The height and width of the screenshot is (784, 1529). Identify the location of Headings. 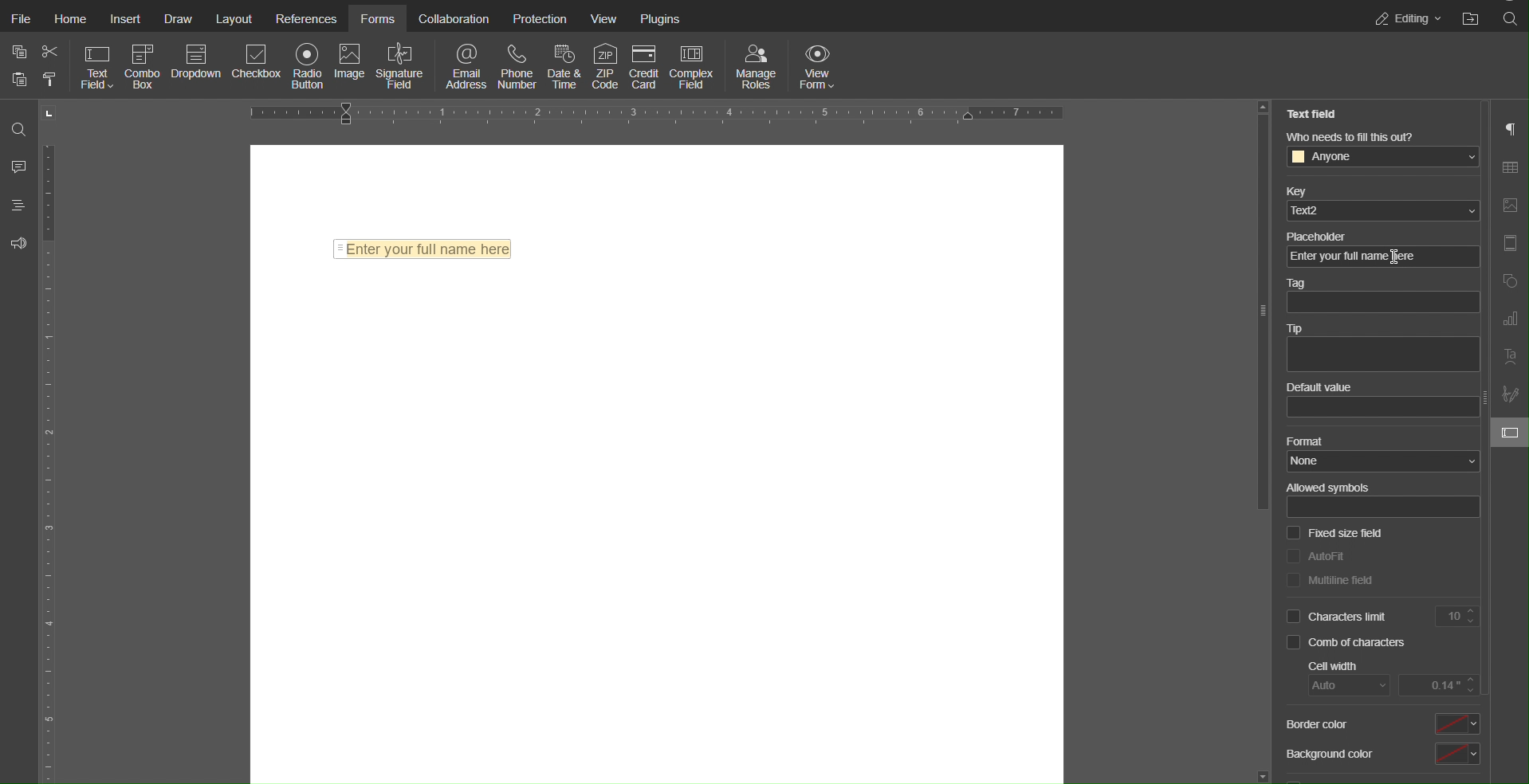
(19, 204).